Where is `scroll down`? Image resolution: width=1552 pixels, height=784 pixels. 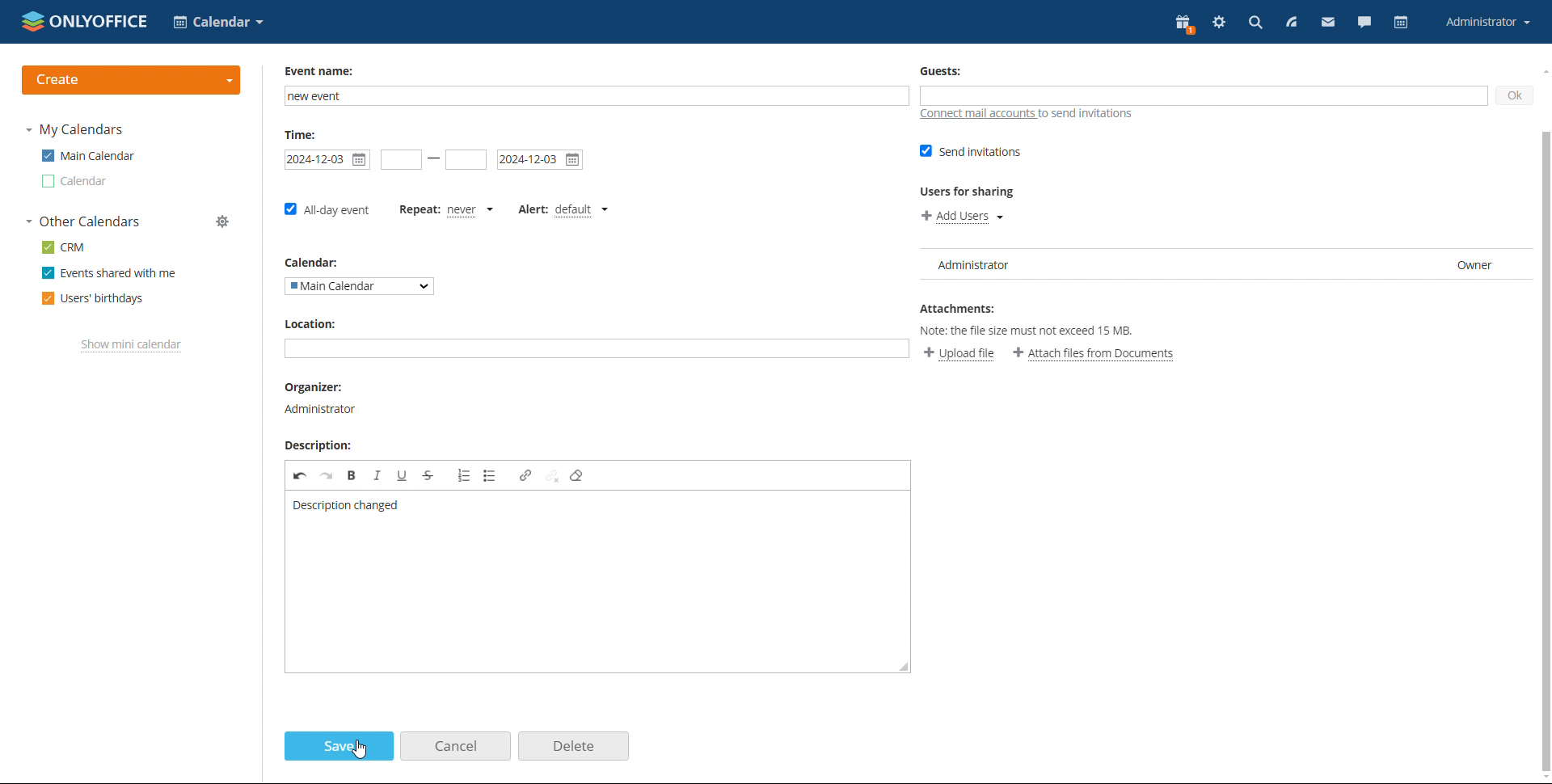
scroll down is located at coordinates (1542, 778).